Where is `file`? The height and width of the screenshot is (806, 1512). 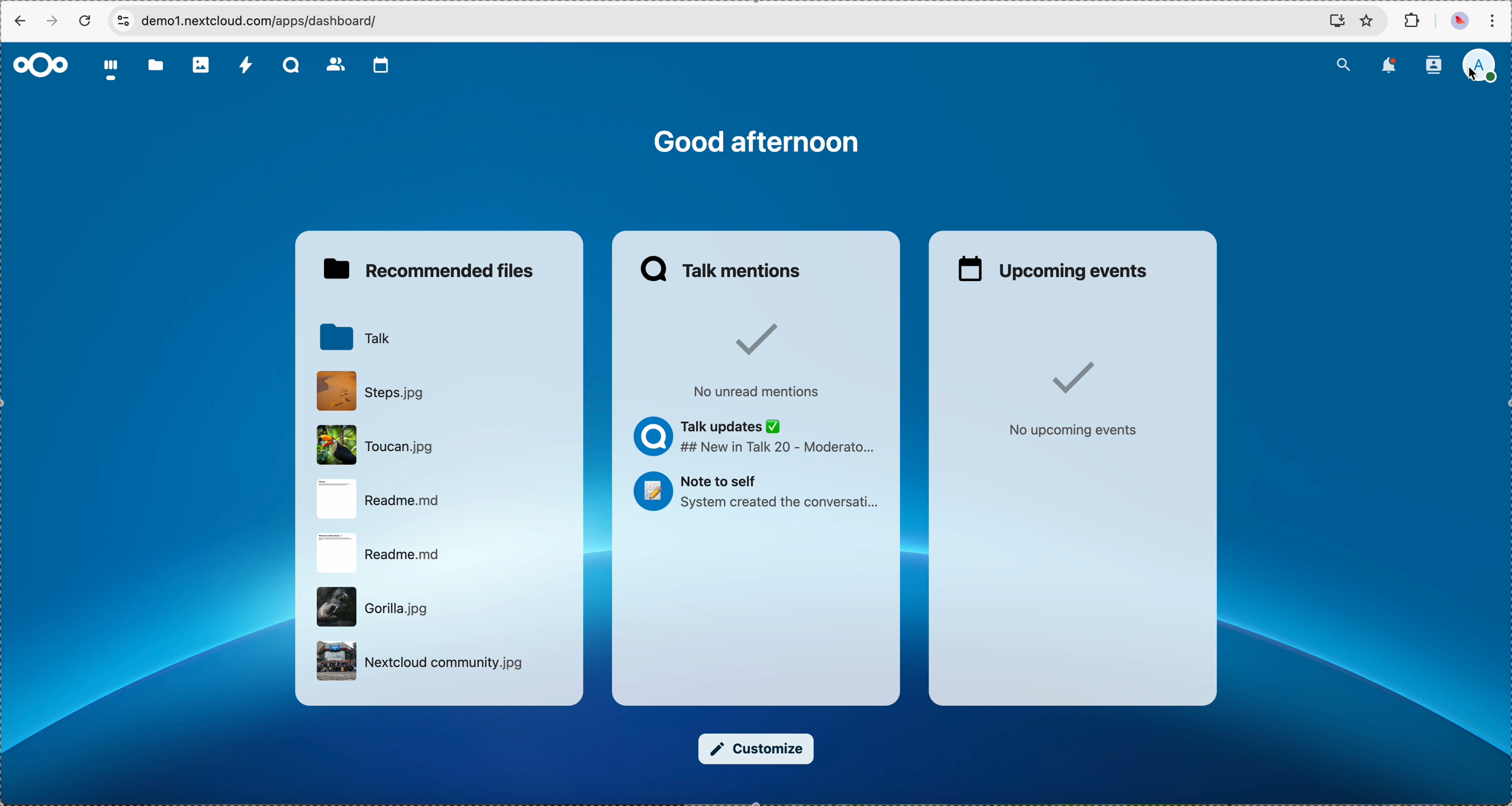
file is located at coordinates (381, 555).